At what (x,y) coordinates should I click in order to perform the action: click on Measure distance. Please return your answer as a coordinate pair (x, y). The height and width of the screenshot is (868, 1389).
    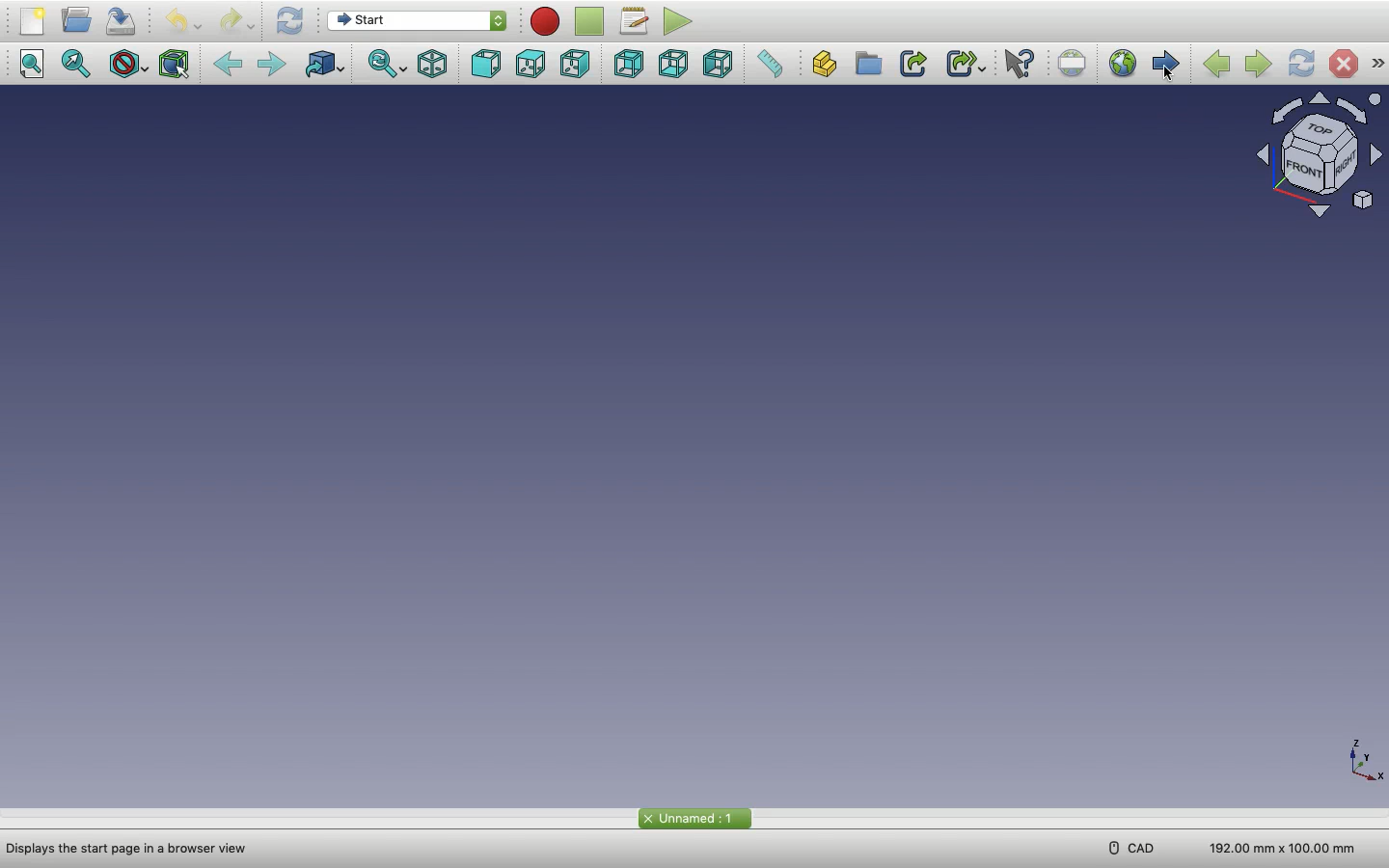
    Looking at the image, I should click on (768, 63).